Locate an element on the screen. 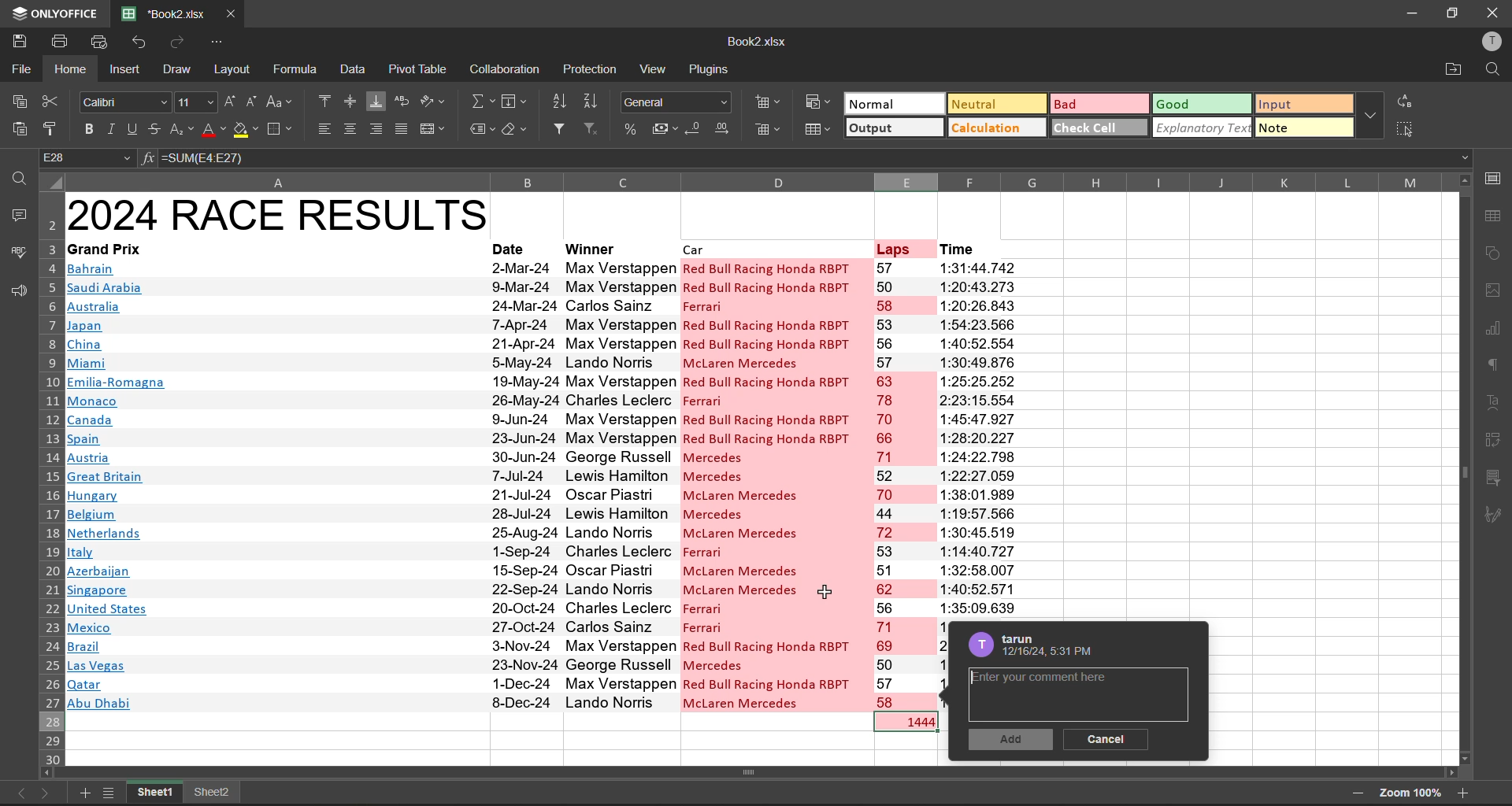 The height and width of the screenshot is (806, 1512). date is located at coordinates (510, 248).